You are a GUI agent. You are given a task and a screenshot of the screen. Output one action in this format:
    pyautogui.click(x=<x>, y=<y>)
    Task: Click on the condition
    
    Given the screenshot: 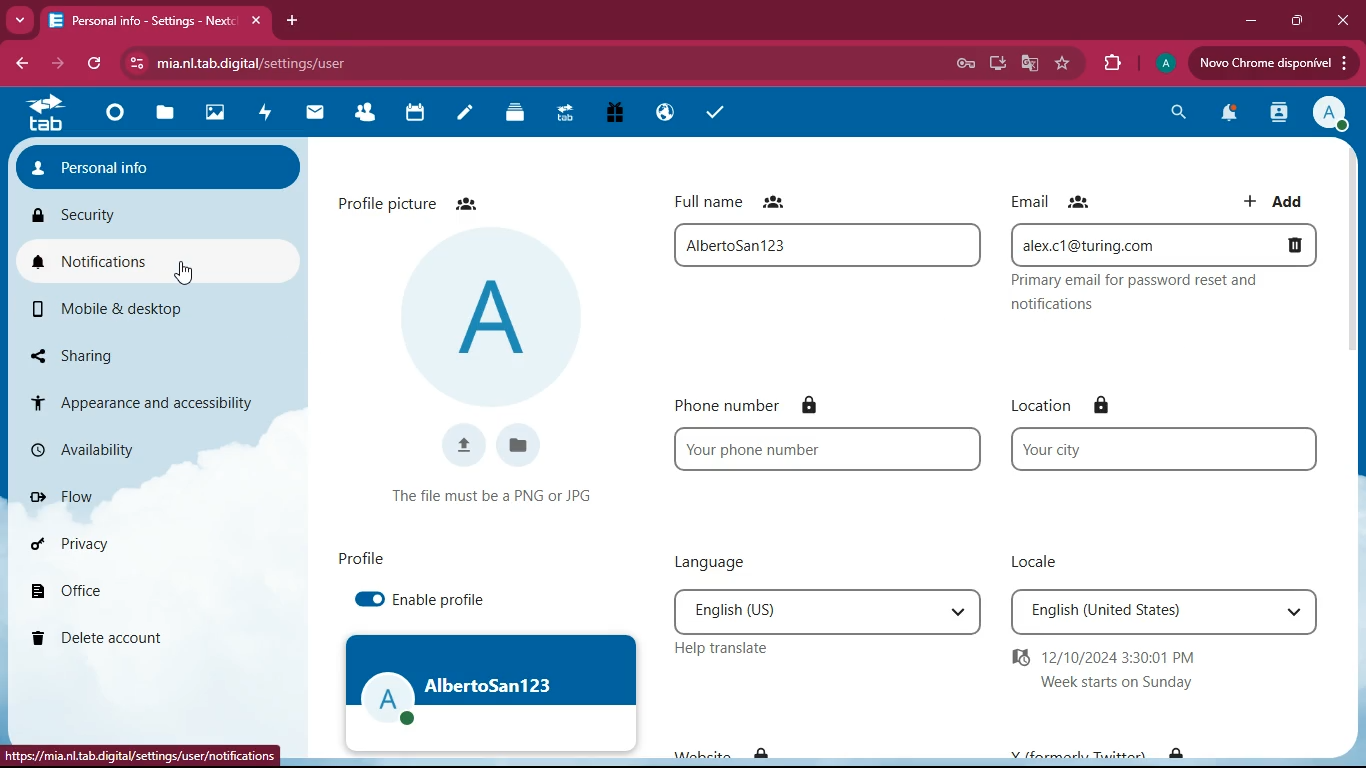 What is the action you would take?
    pyautogui.click(x=501, y=498)
    